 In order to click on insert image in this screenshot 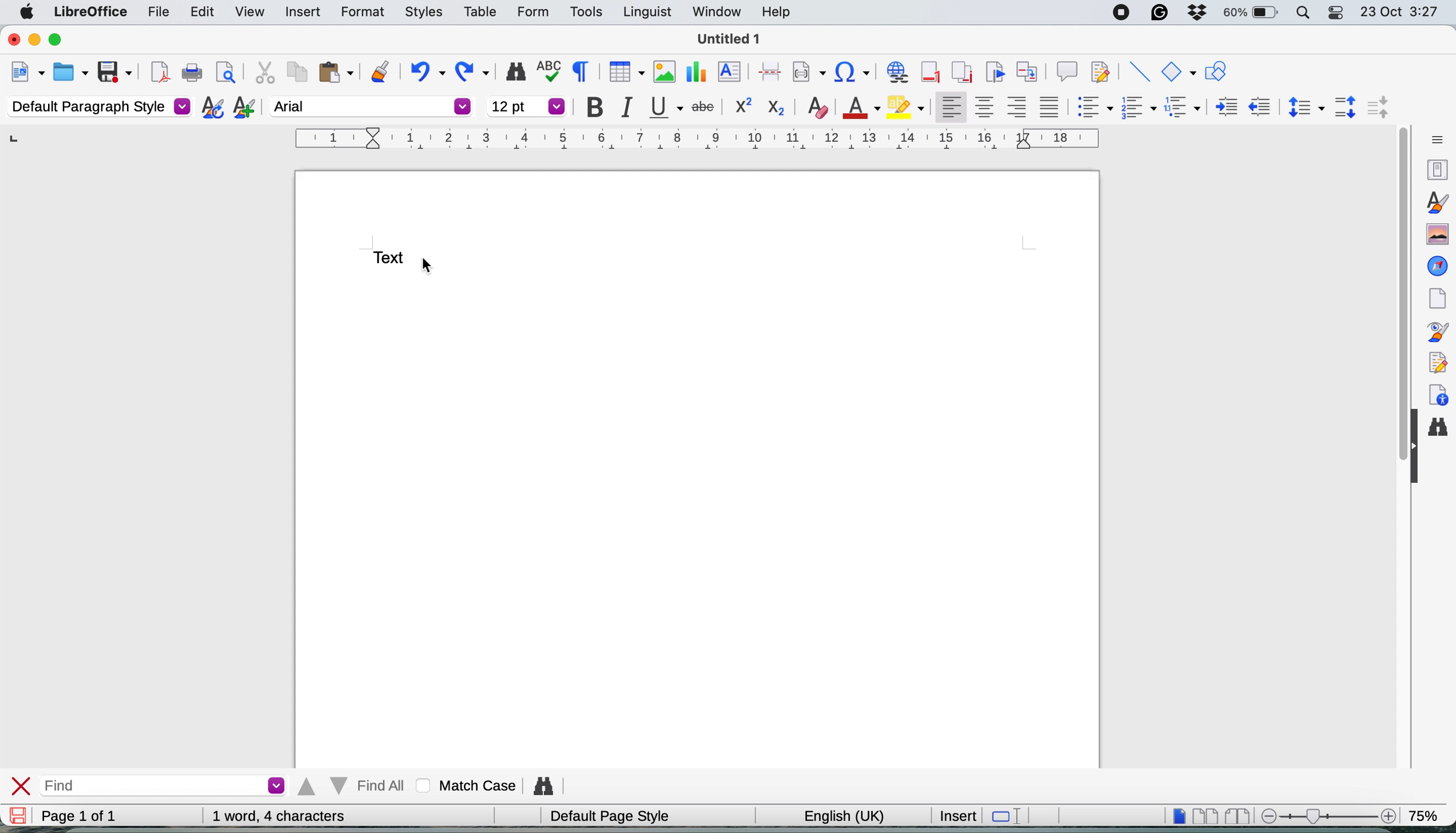, I will do `click(661, 71)`.